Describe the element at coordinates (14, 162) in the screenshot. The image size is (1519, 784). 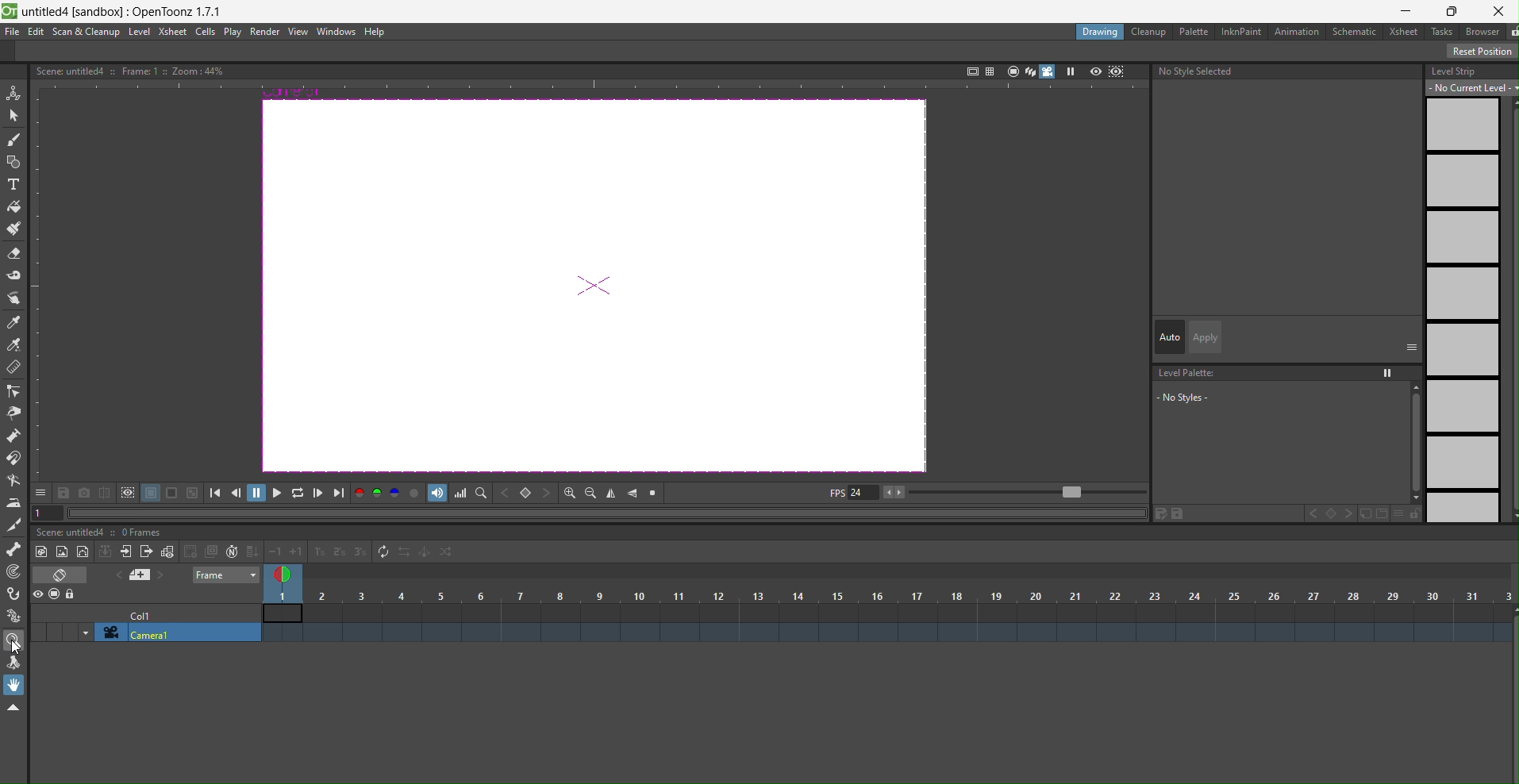
I see `geometric tool` at that location.